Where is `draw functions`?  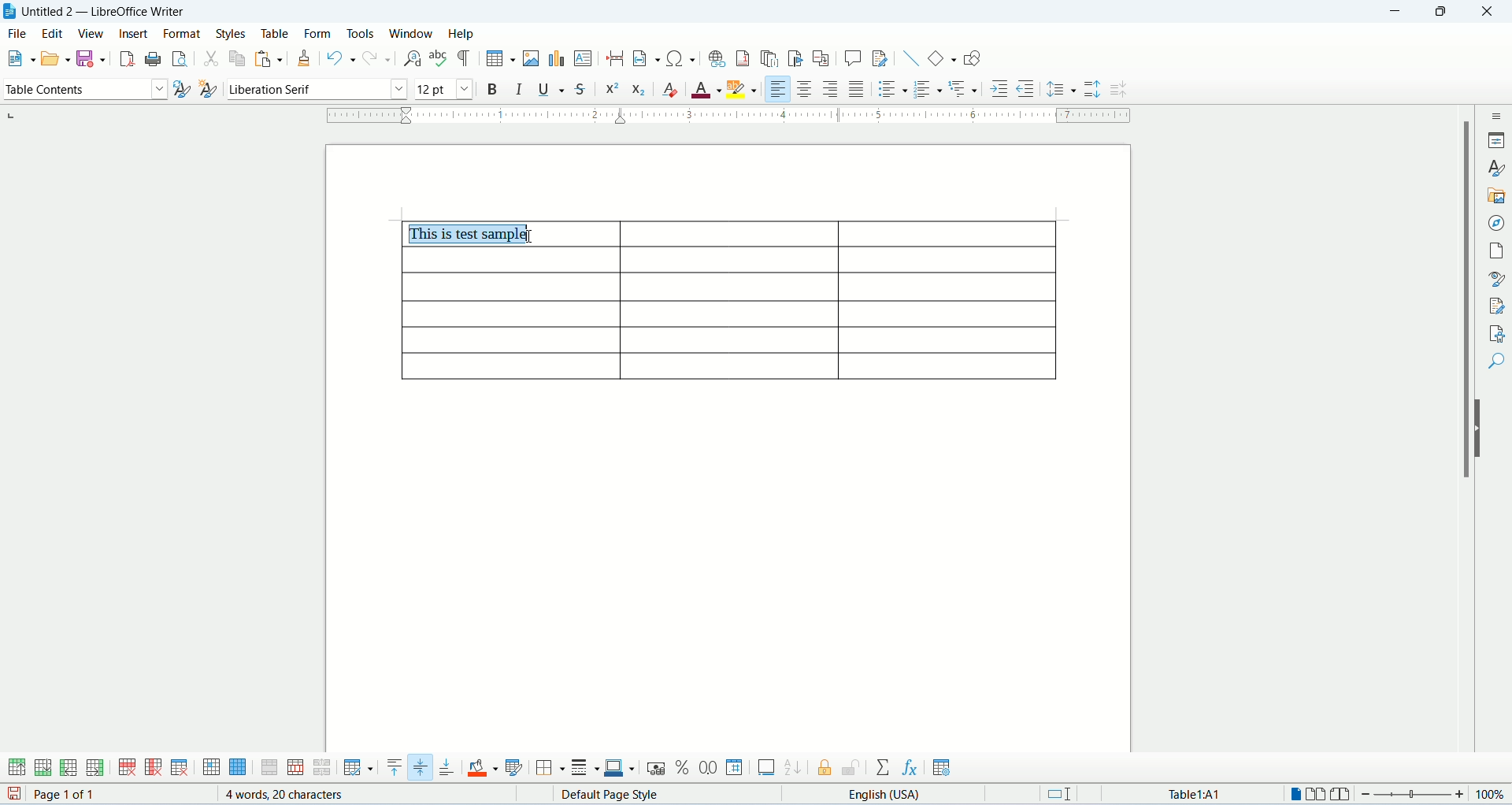
draw functions is located at coordinates (973, 57).